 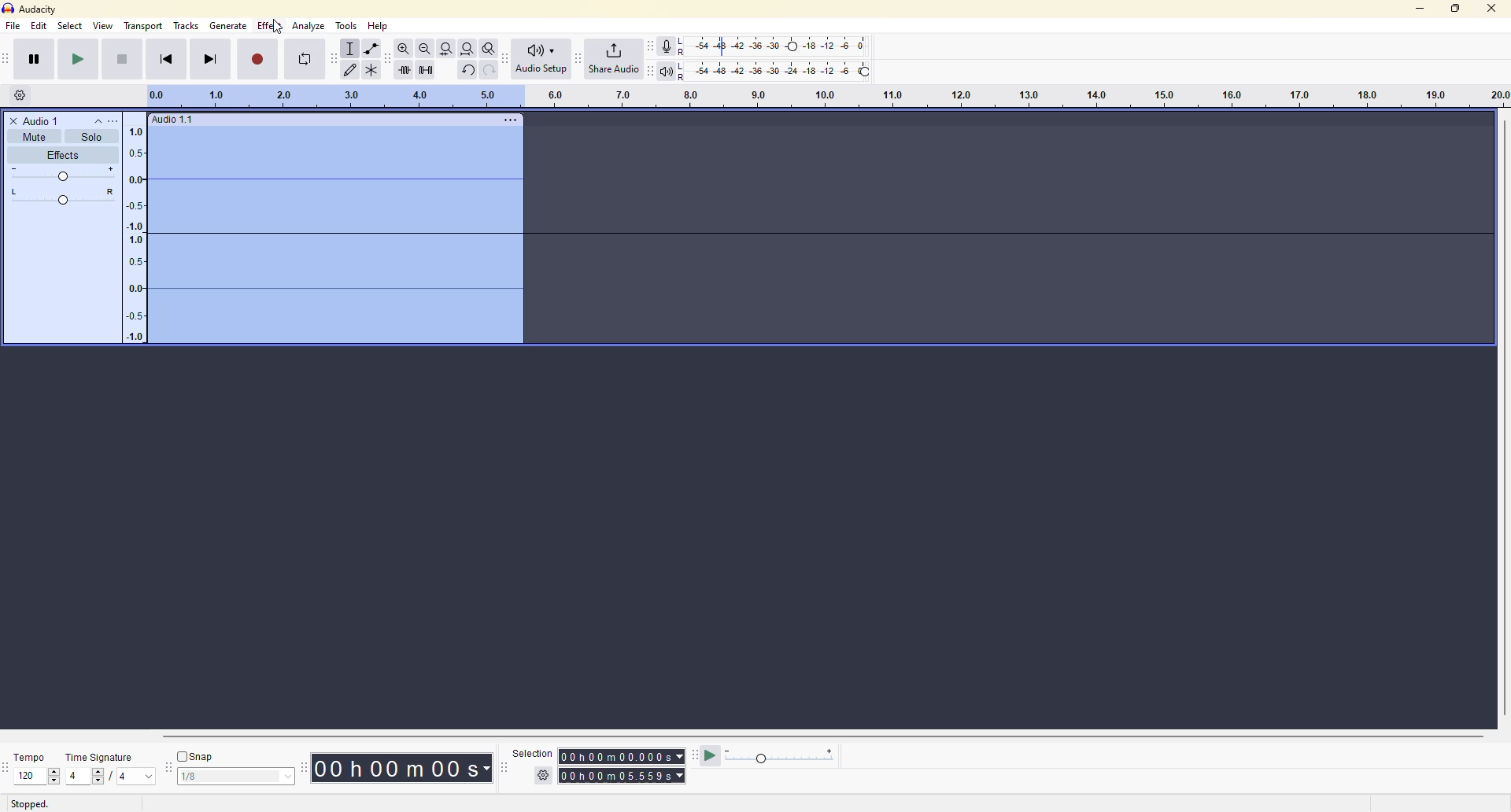 I want to click on selection toolbar, so click(x=501, y=768).